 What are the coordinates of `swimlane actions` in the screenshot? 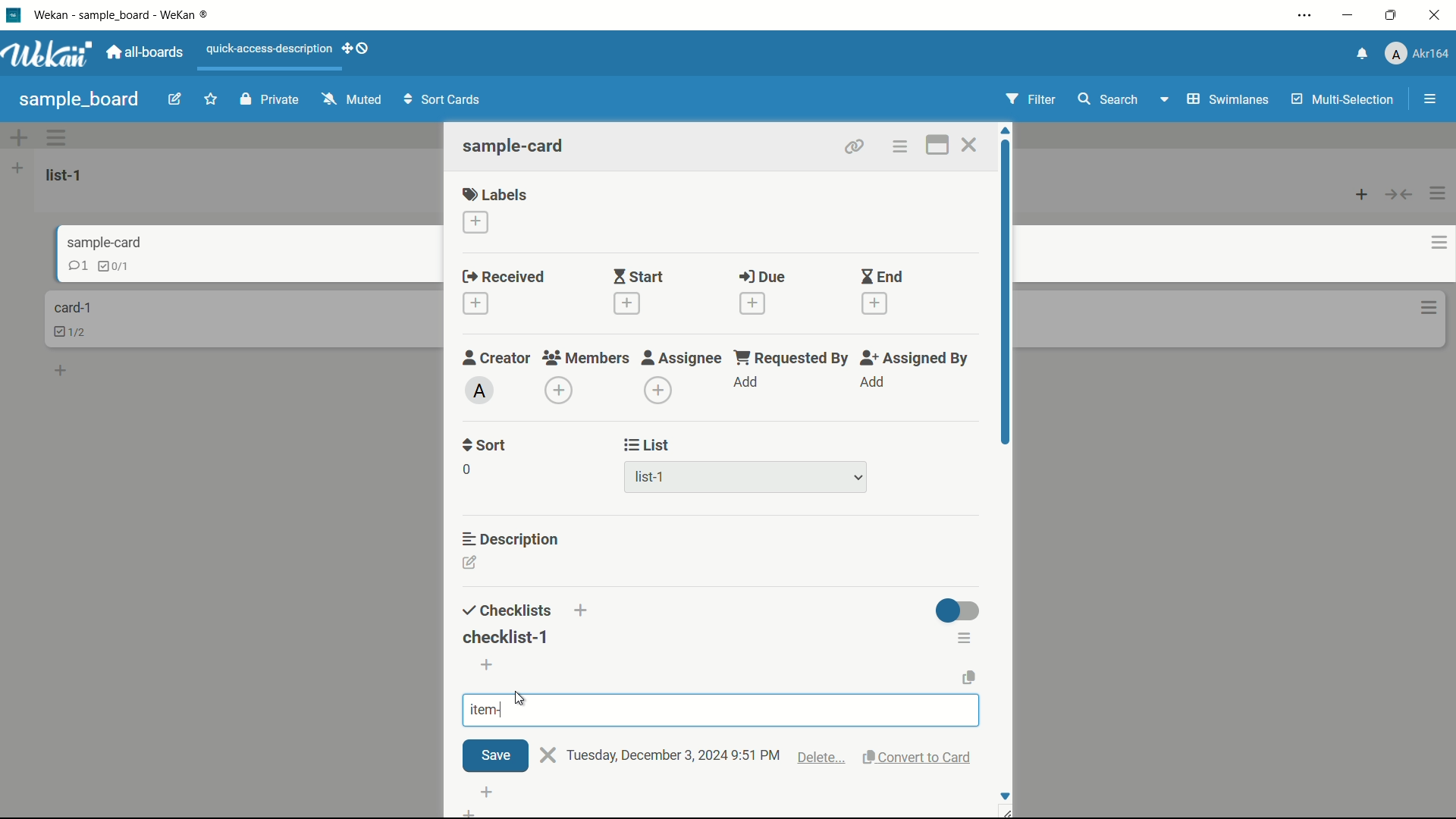 It's located at (57, 136).